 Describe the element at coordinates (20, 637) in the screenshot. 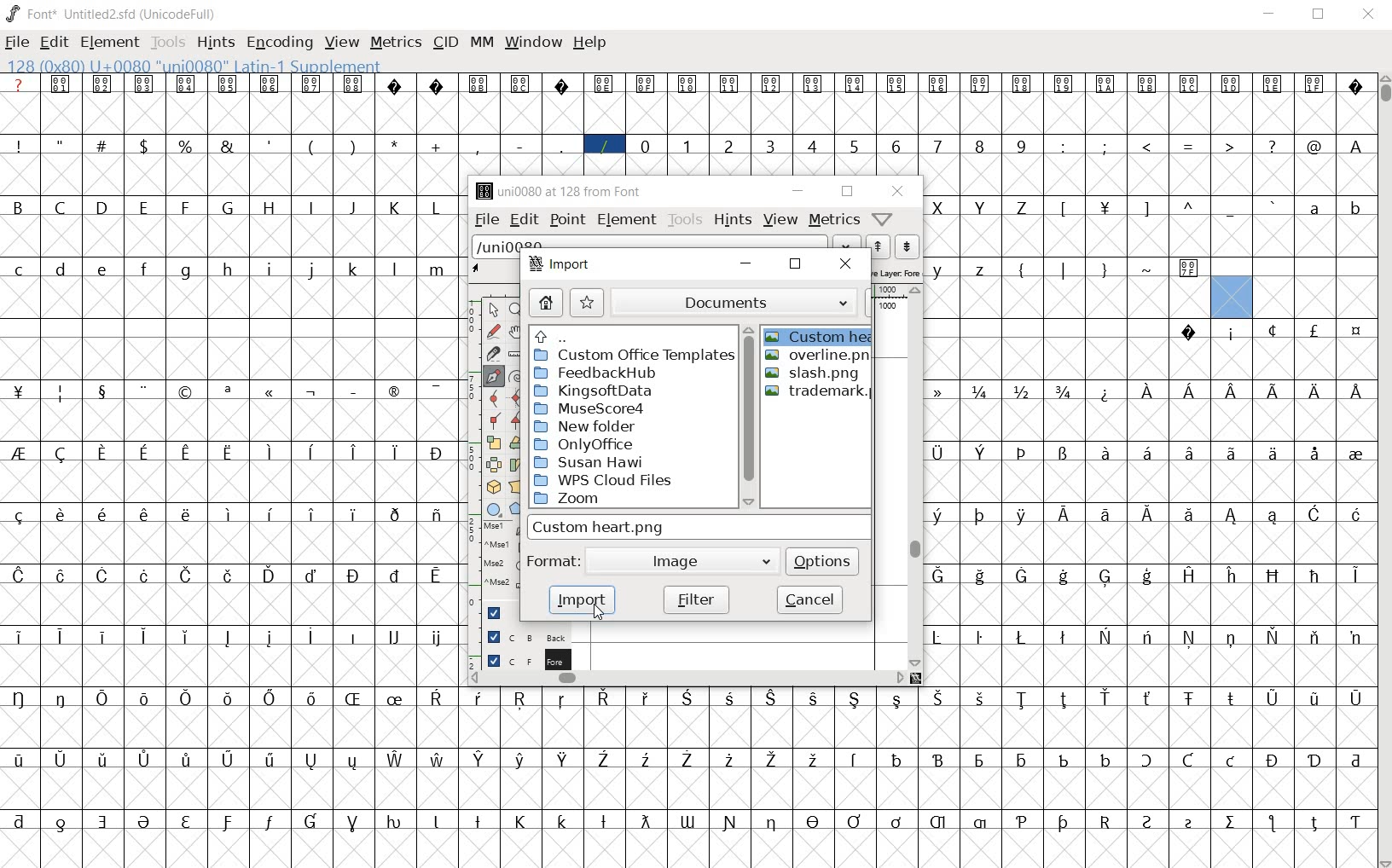

I see `glyph` at that location.